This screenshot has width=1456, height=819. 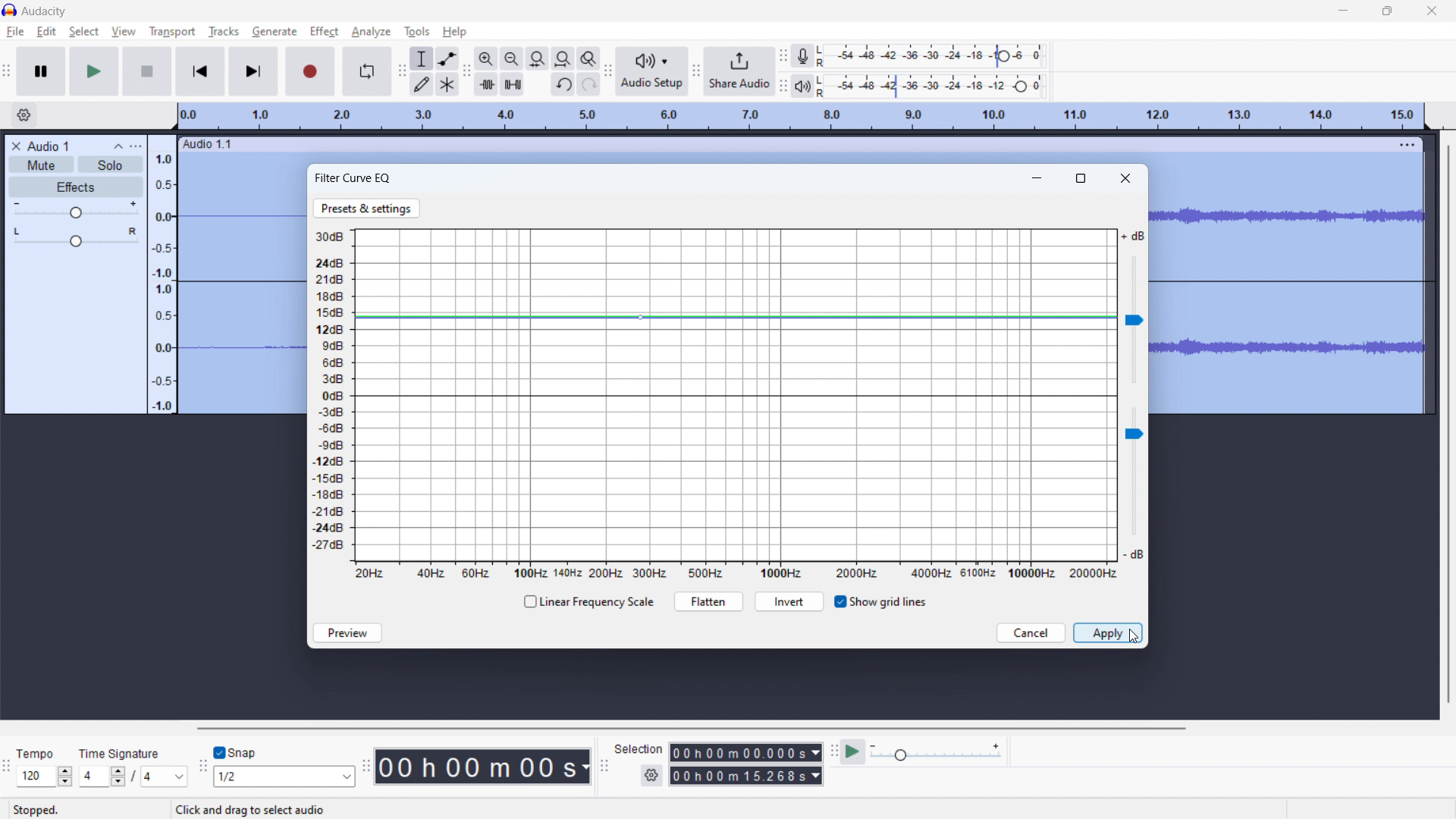 I want to click on undo, so click(x=562, y=85).